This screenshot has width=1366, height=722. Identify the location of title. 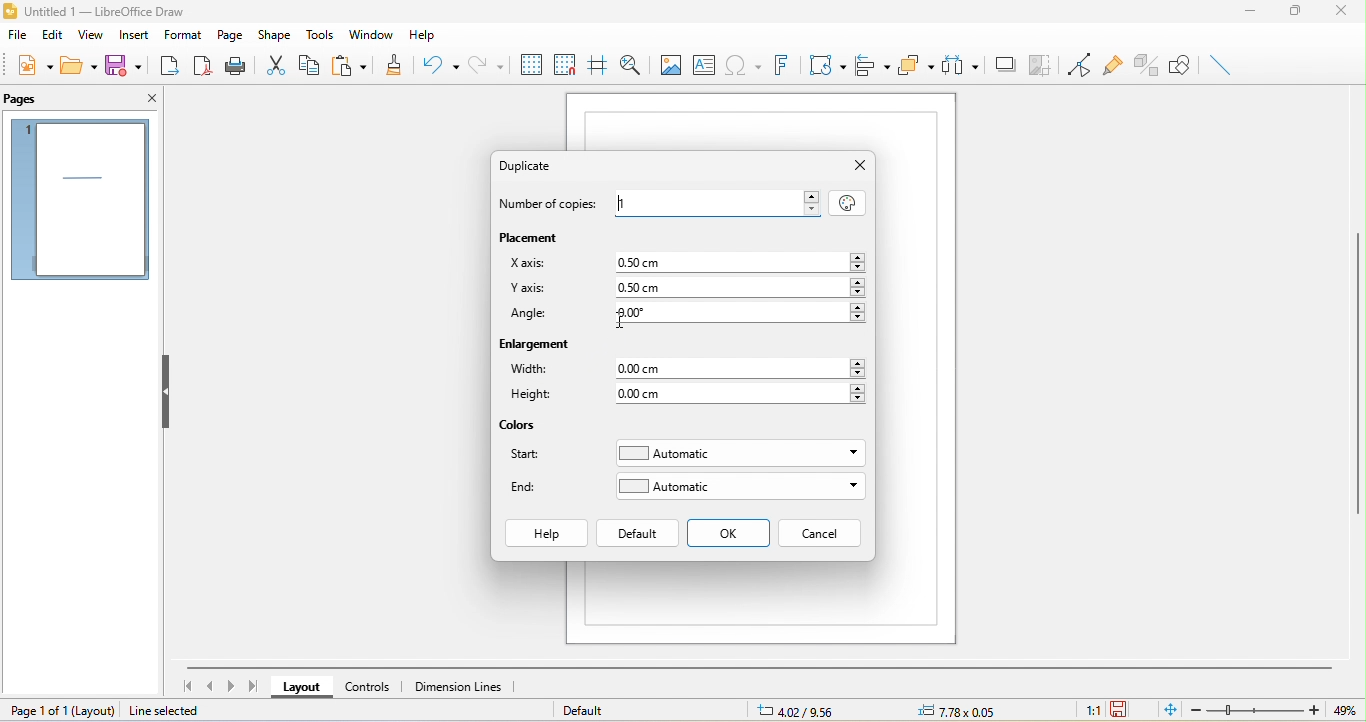
(94, 12).